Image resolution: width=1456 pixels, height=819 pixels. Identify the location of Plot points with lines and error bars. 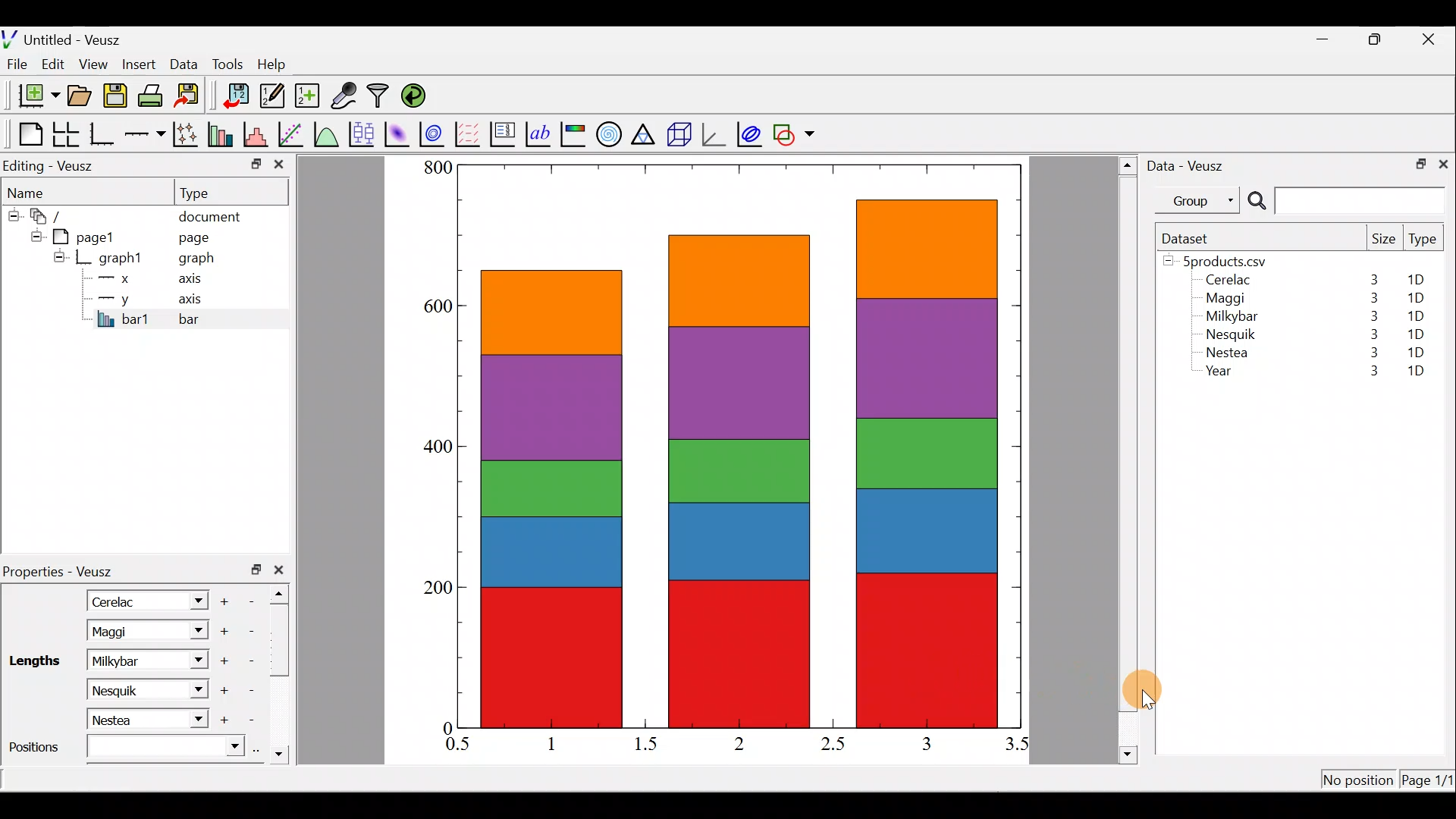
(188, 135).